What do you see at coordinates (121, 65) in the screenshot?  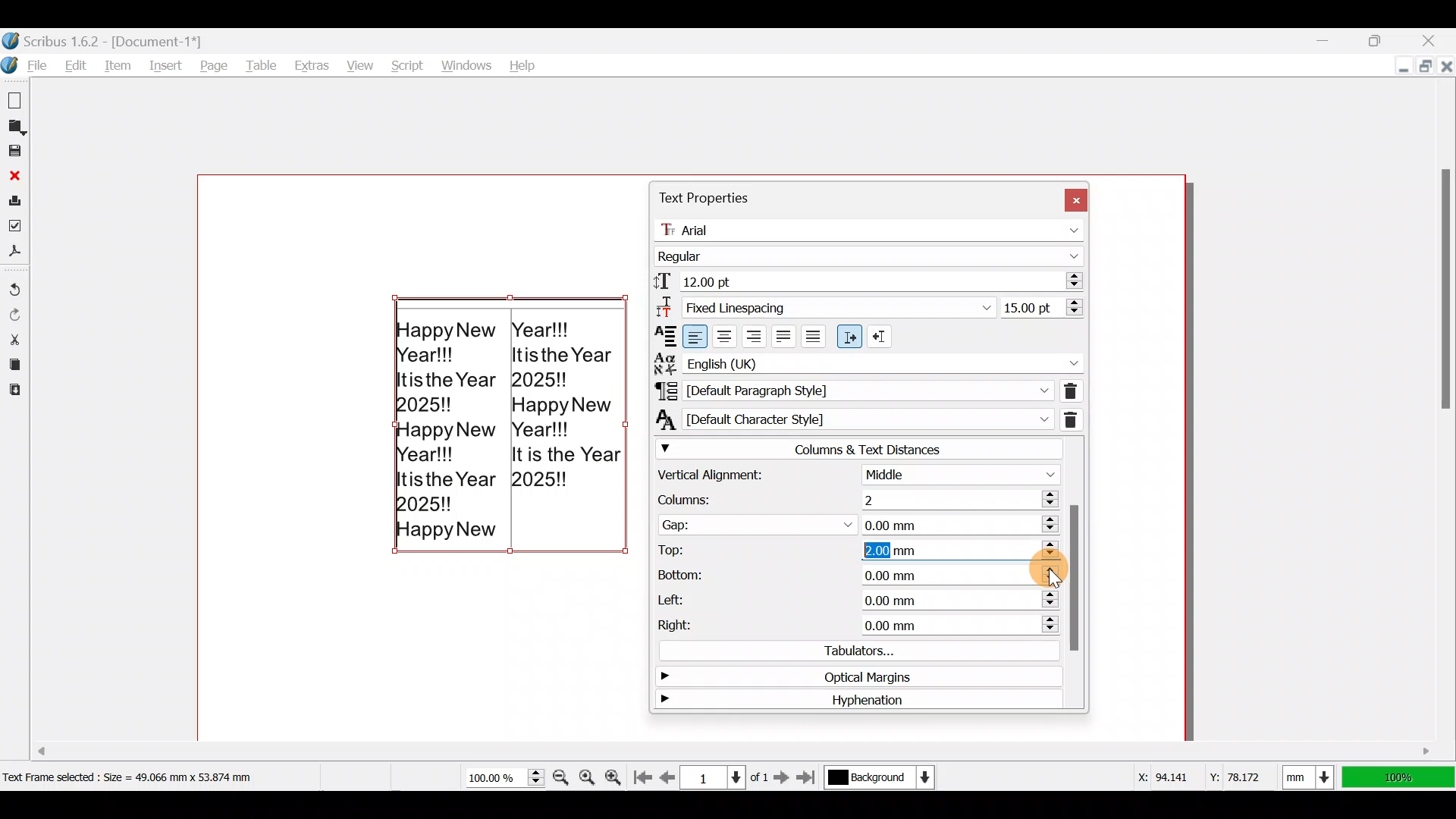 I see `Item` at bounding box center [121, 65].